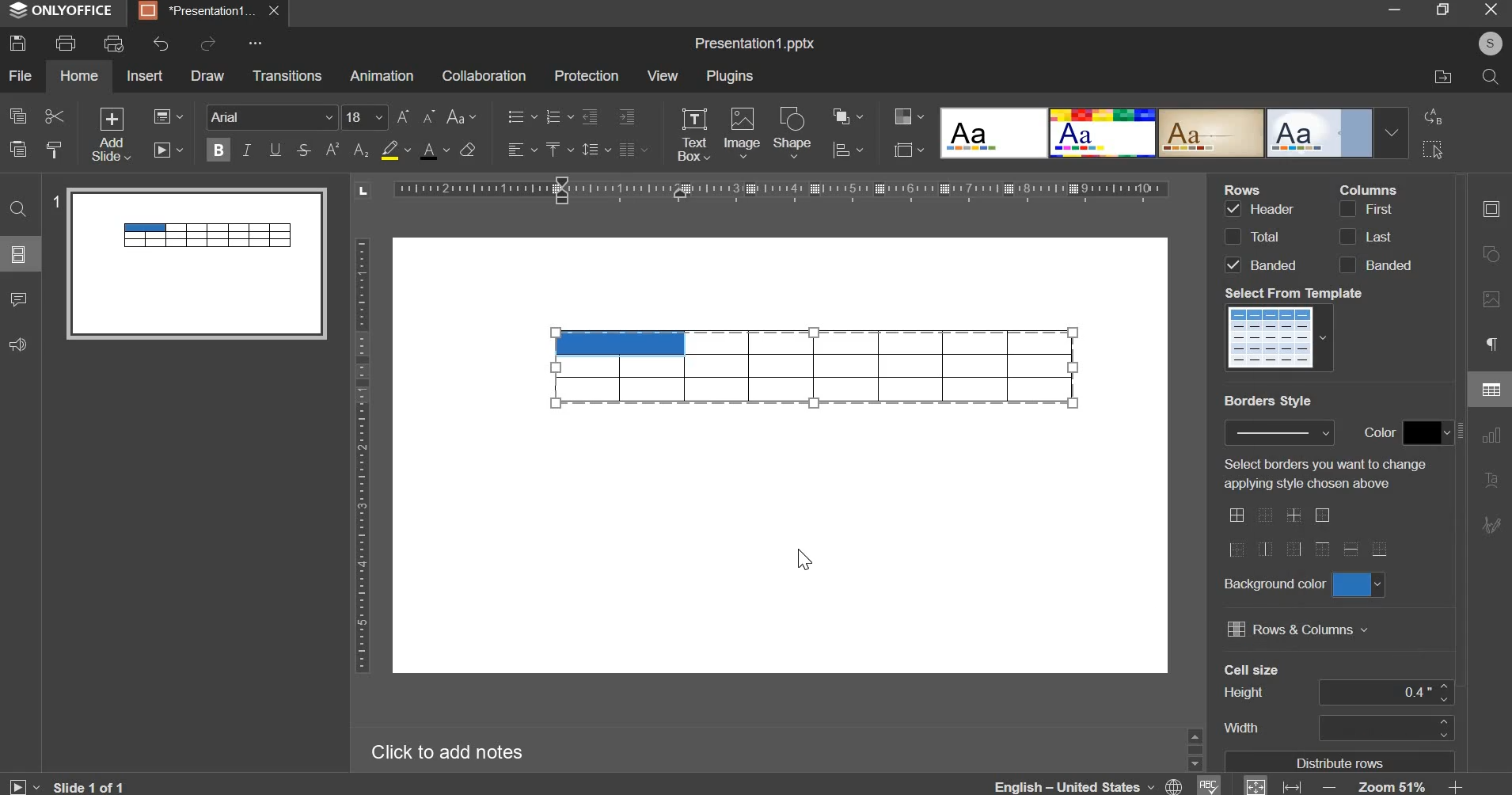  Describe the element at coordinates (389, 117) in the screenshot. I see `font size` at that location.